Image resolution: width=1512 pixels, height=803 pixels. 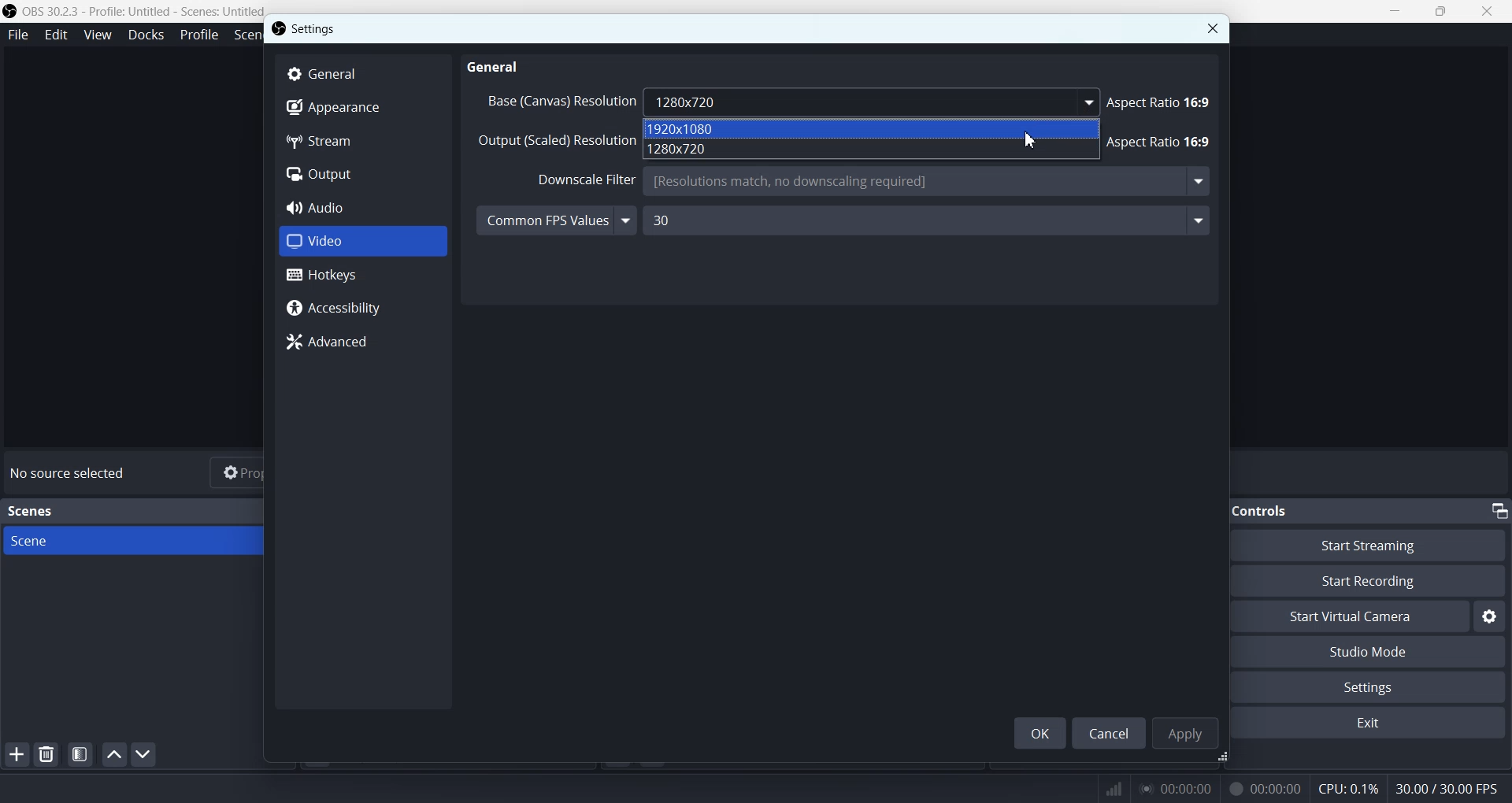 What do you see at coordinates (1349, 790) in the screenshot?
I see `CPU` at bounding box center [1349, 790].